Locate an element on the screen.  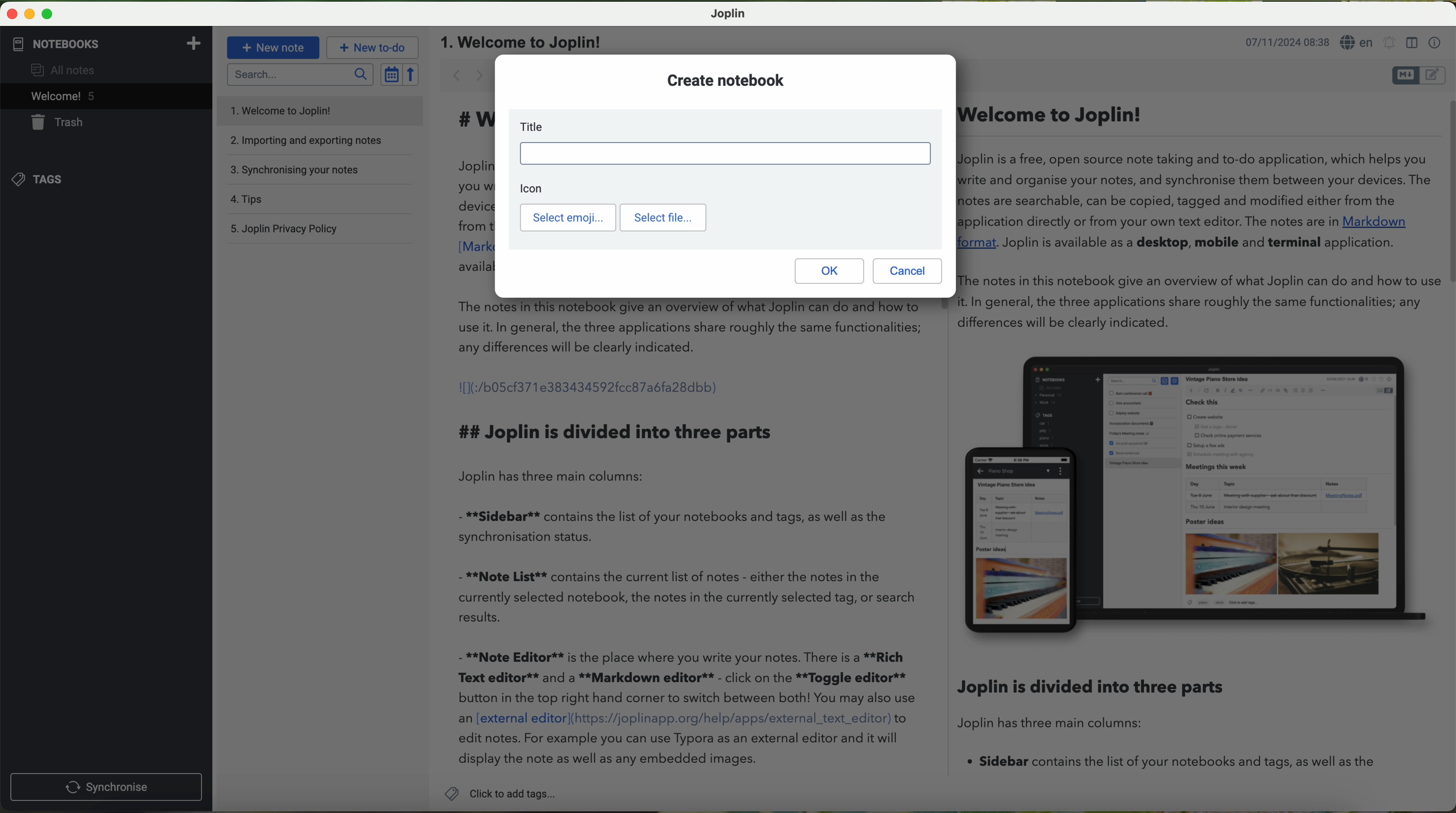
add notebooks is located at coordinates (192, 42).